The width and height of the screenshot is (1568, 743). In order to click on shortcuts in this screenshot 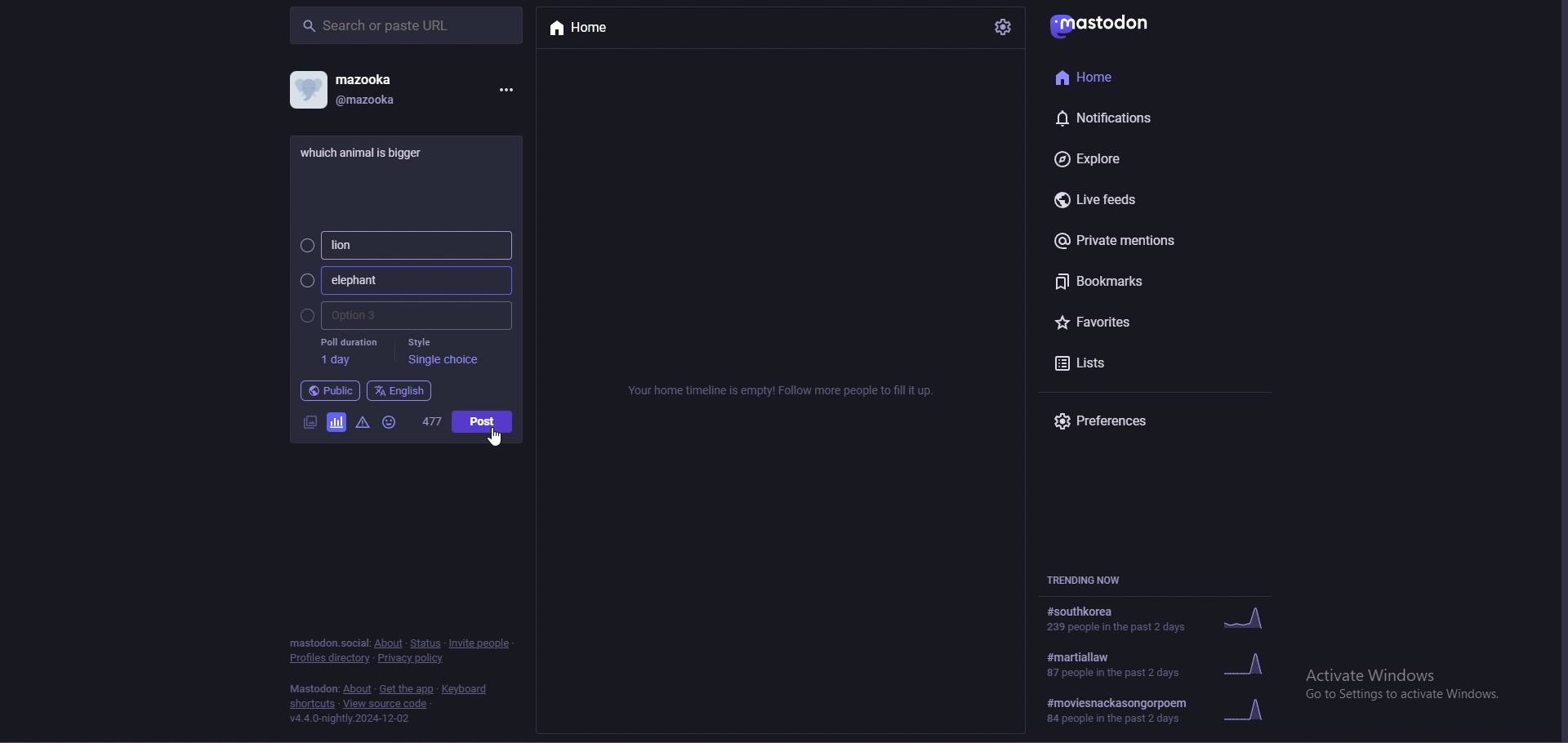, I will do `click(313, 704)`.